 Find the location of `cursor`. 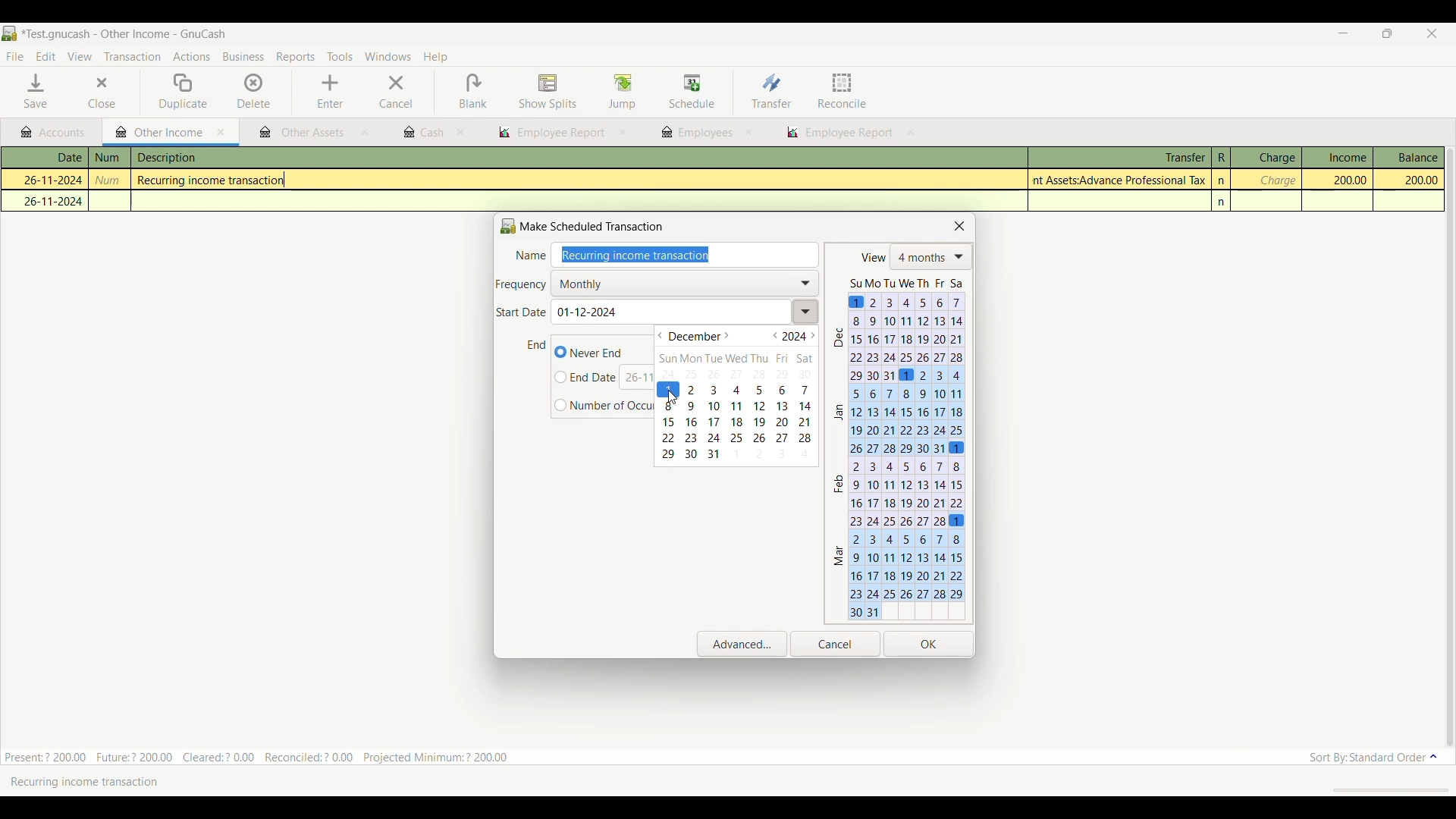

cursor is located at coordinates (673, 397).